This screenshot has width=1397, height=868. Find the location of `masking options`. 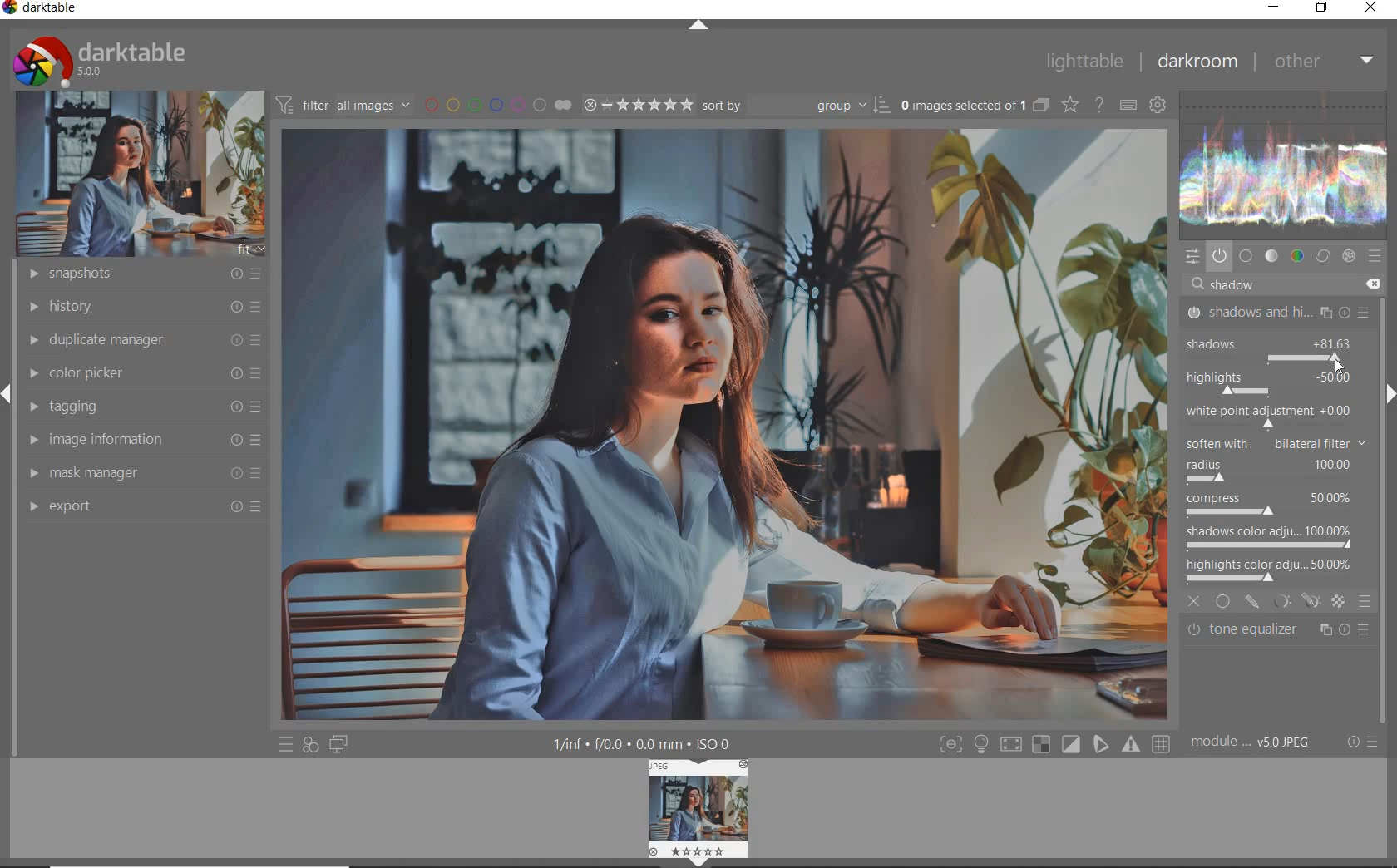

masking options is located at coordinates (1296, 601).